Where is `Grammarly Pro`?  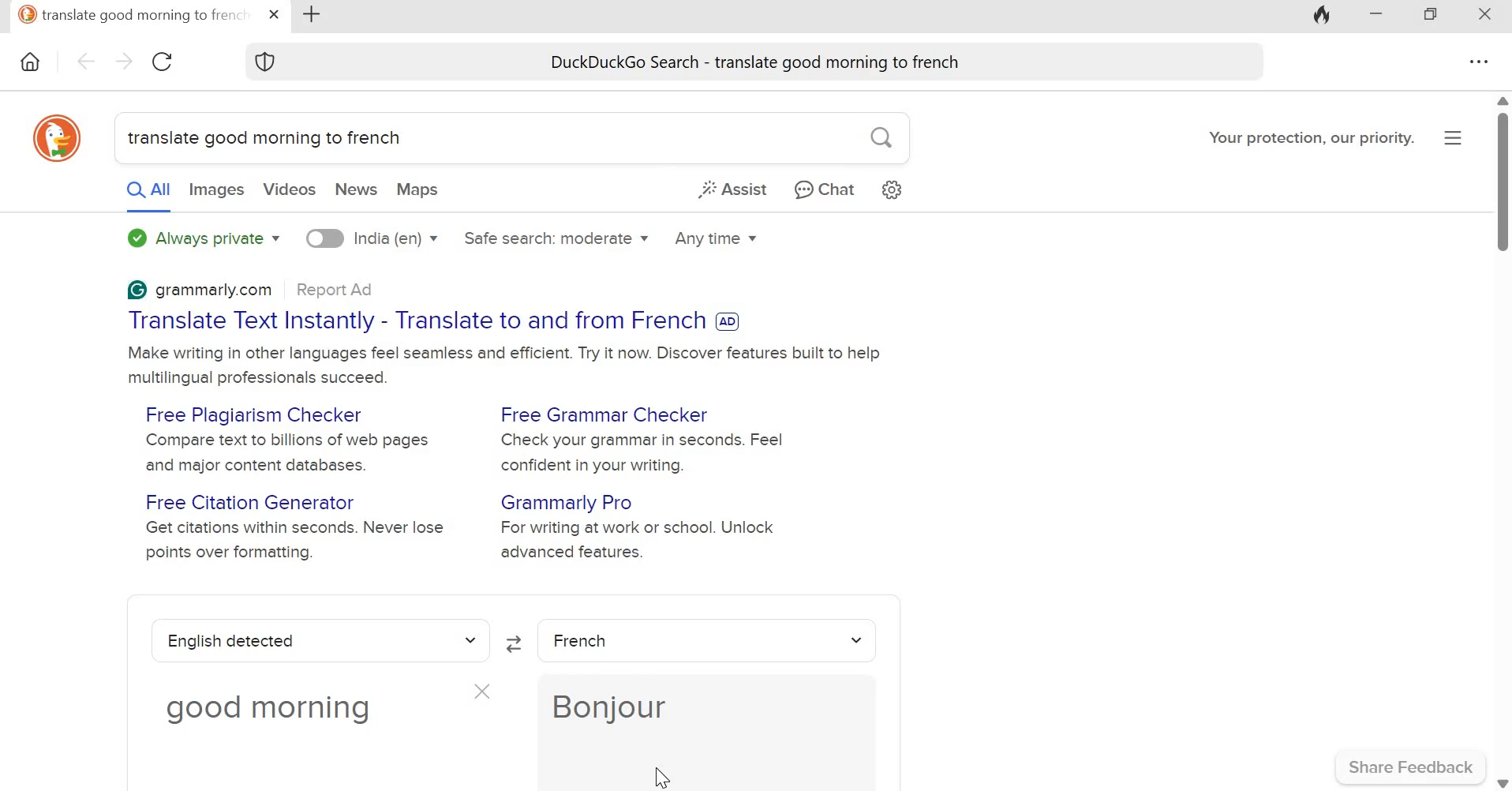 Grammarly Pro is located at coordinates (573, 502).